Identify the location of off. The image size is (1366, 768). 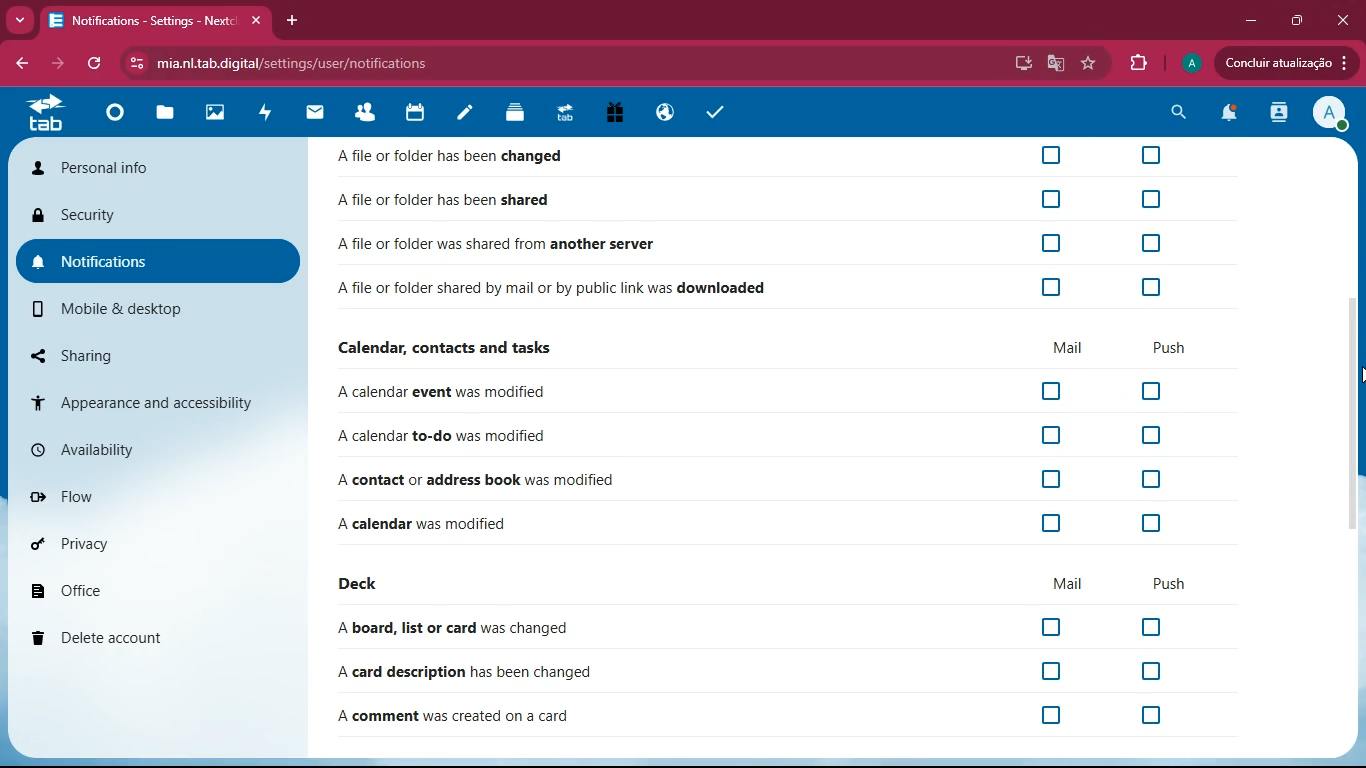
(1048, 522).